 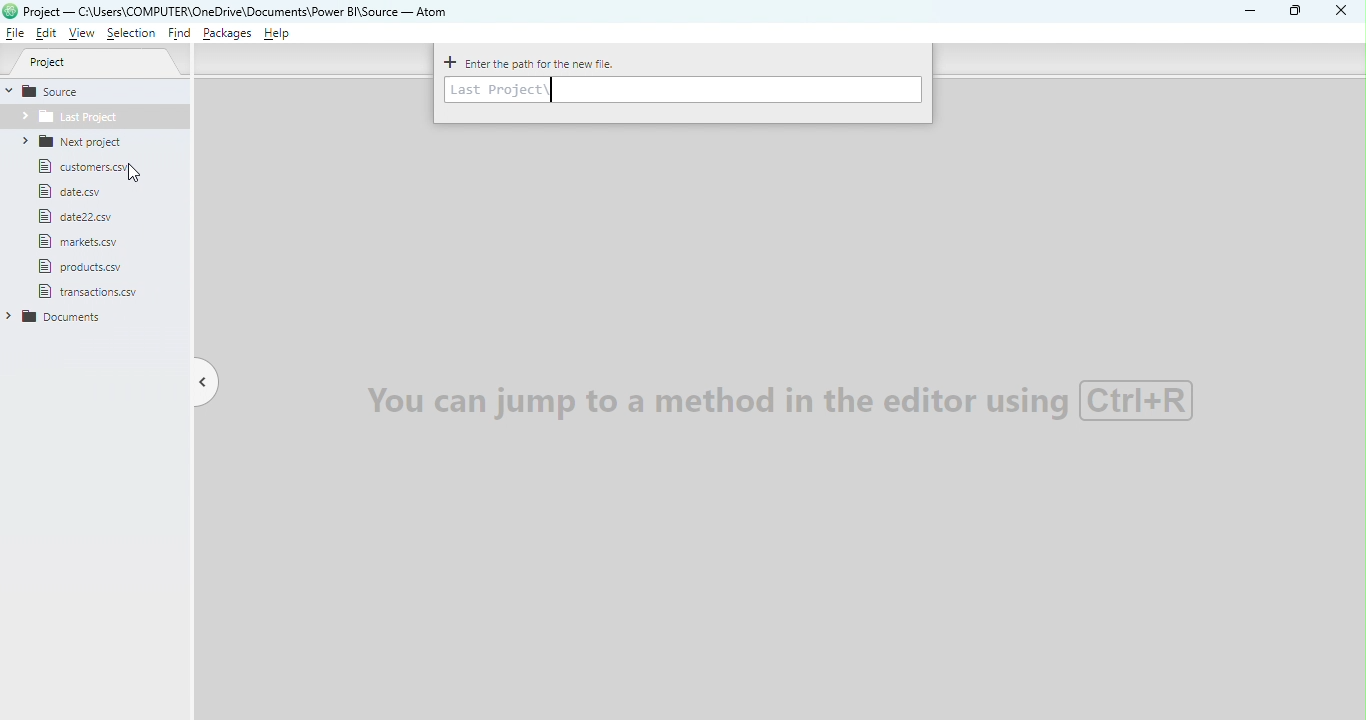 What do you see at coordinates (78, 217) in the screenshot?
I see `file` at bounding box center [78, 217].